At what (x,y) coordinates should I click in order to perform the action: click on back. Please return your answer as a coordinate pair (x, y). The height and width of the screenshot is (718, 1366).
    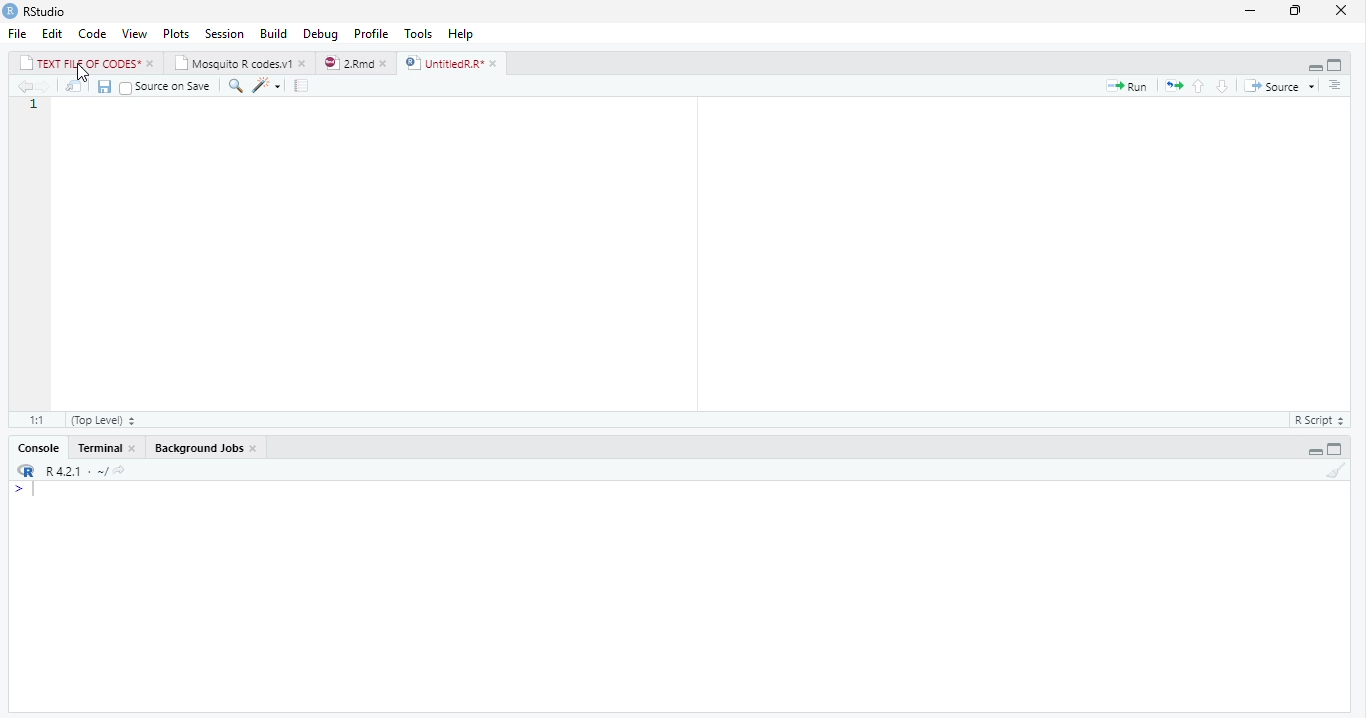
    Looking at the image, I should click on (24, 87).